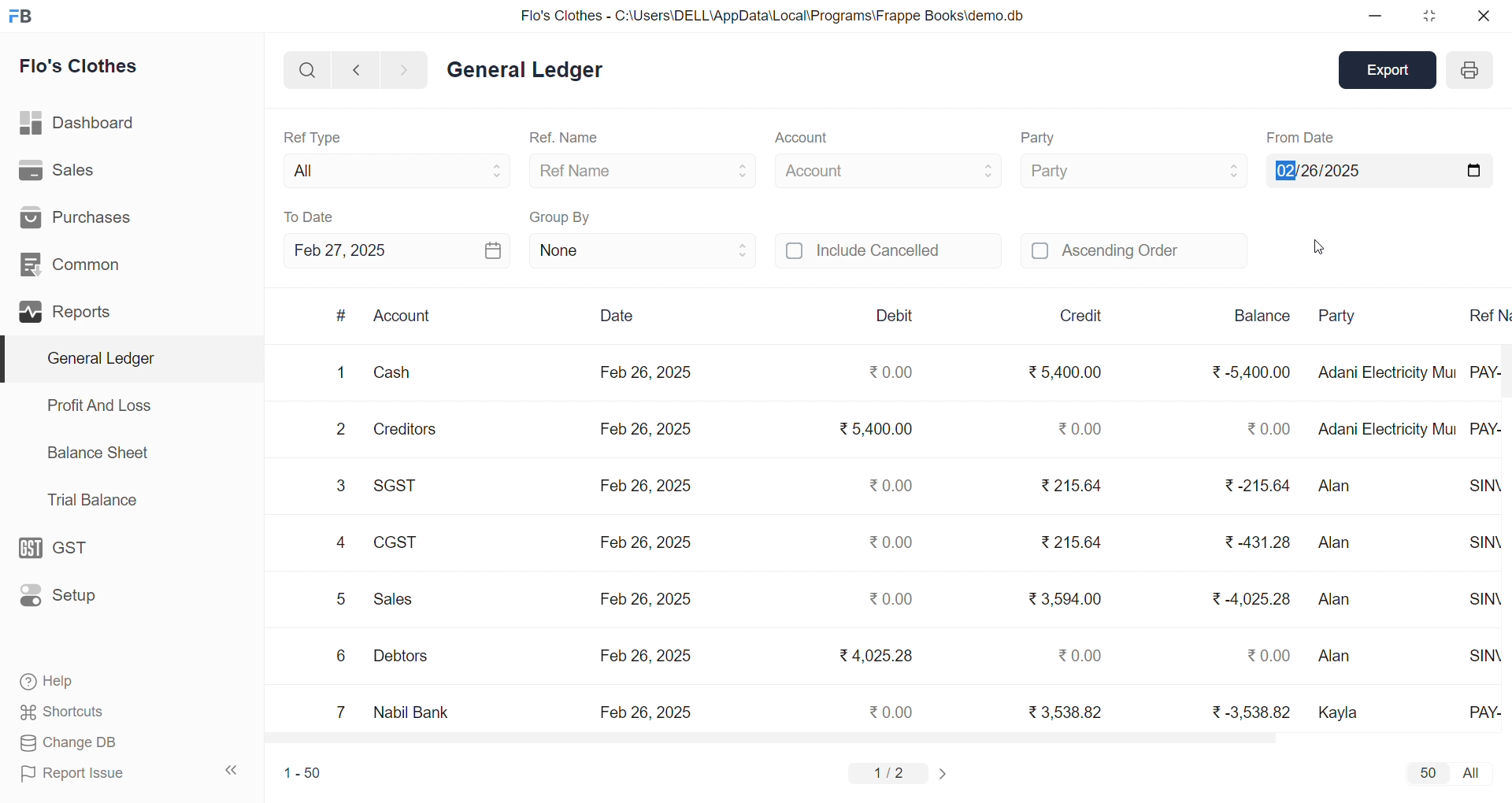 The width and height of the screenshot is (1512, 803). What do you see at coordinates (57, 168) in the screenshot?
I see `Sales` at bounding box center [57, 168].